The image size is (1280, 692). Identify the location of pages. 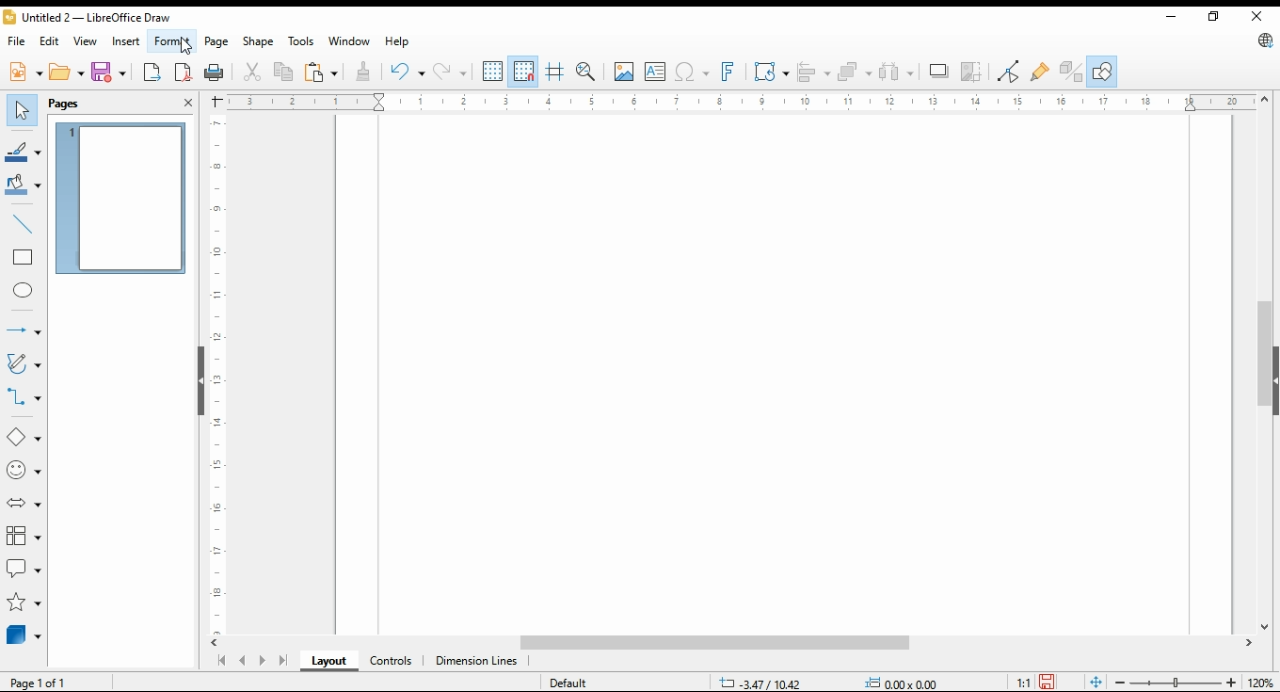
(70, 102).